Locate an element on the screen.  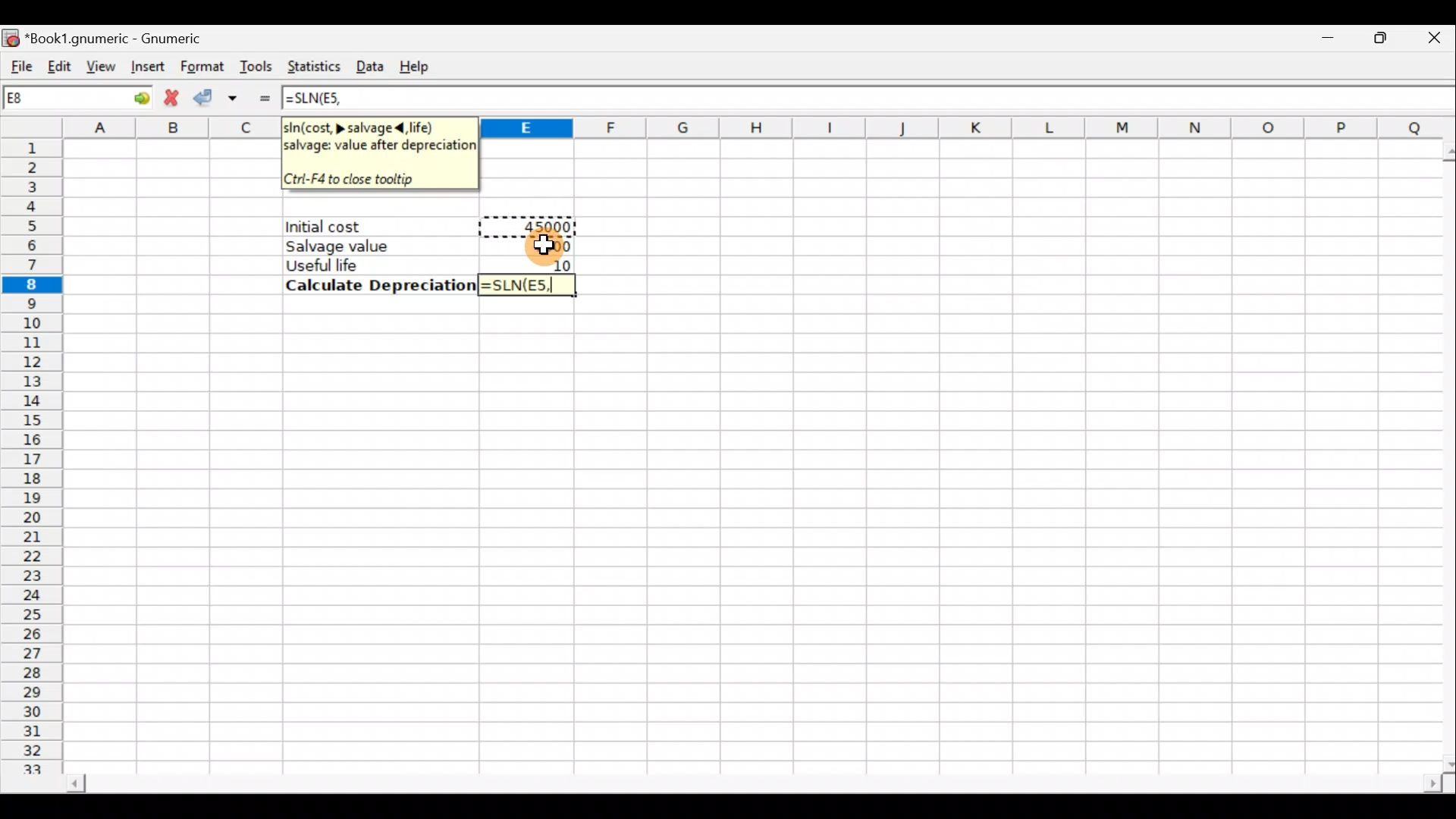
Minimize is located at coordinates (1325, 42).